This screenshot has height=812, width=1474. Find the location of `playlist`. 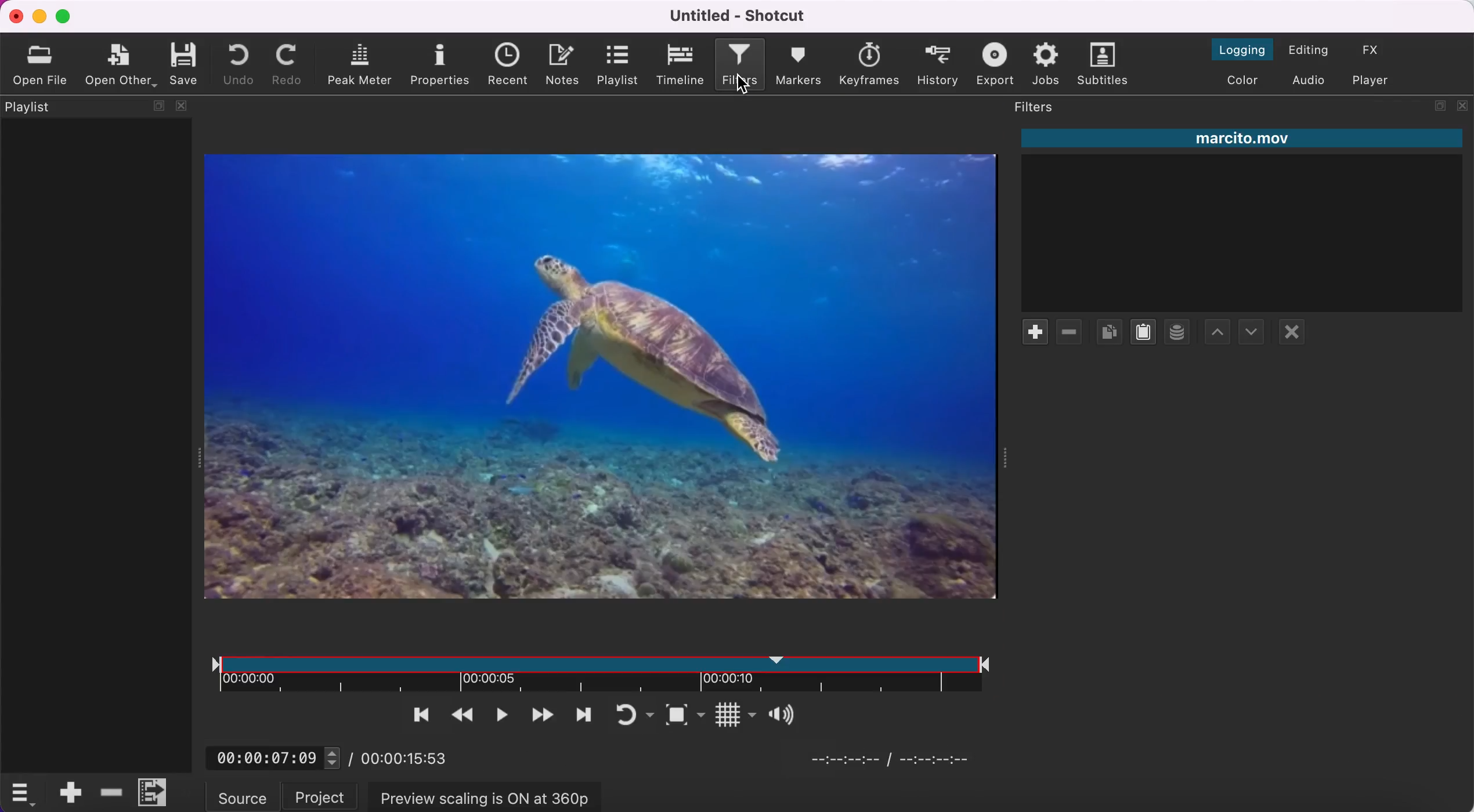

playlist is located at coordinates (620, 64).